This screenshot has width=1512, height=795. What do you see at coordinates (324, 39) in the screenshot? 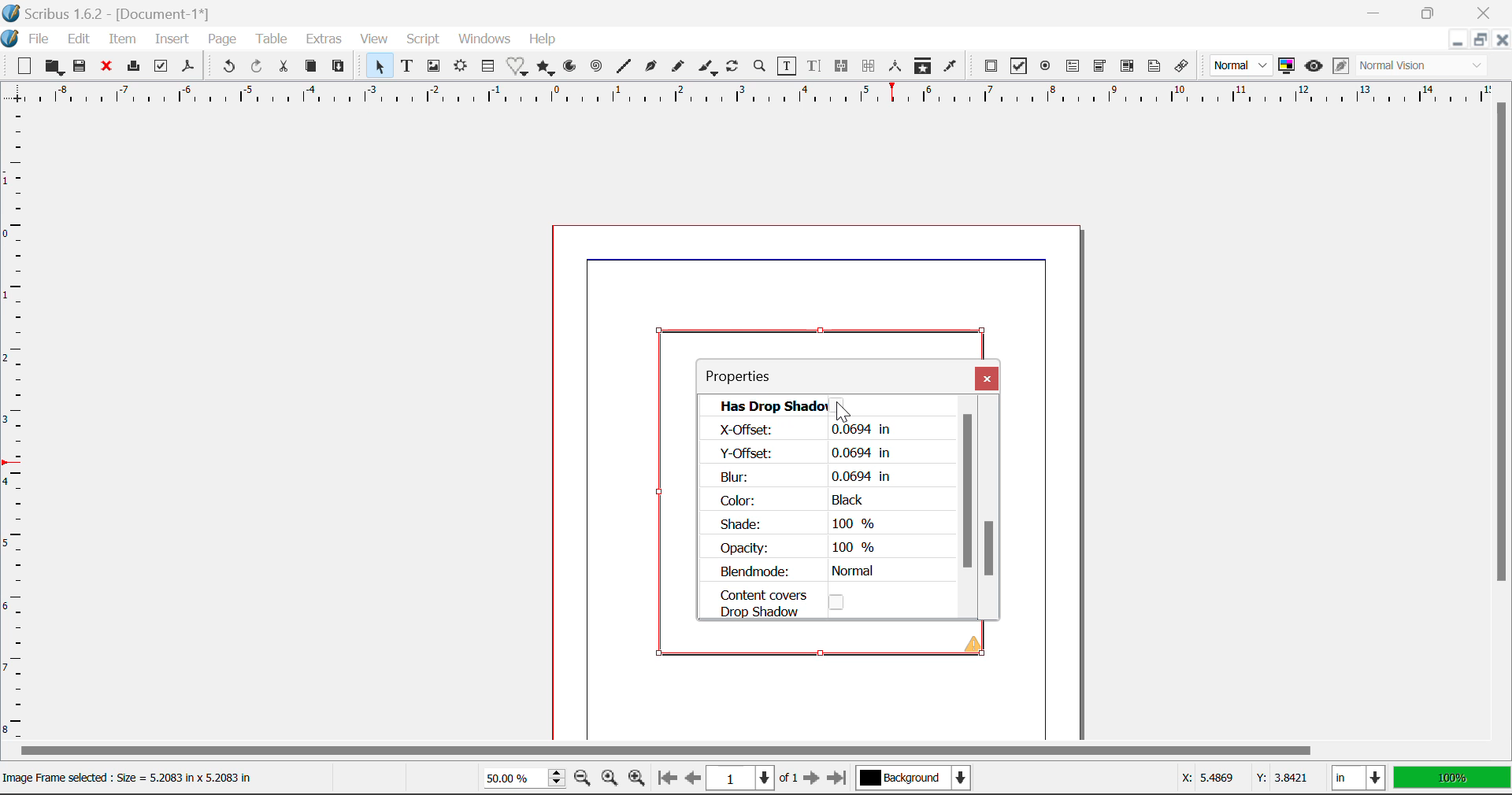
I see `Extras` at bounding box center [324, 39].